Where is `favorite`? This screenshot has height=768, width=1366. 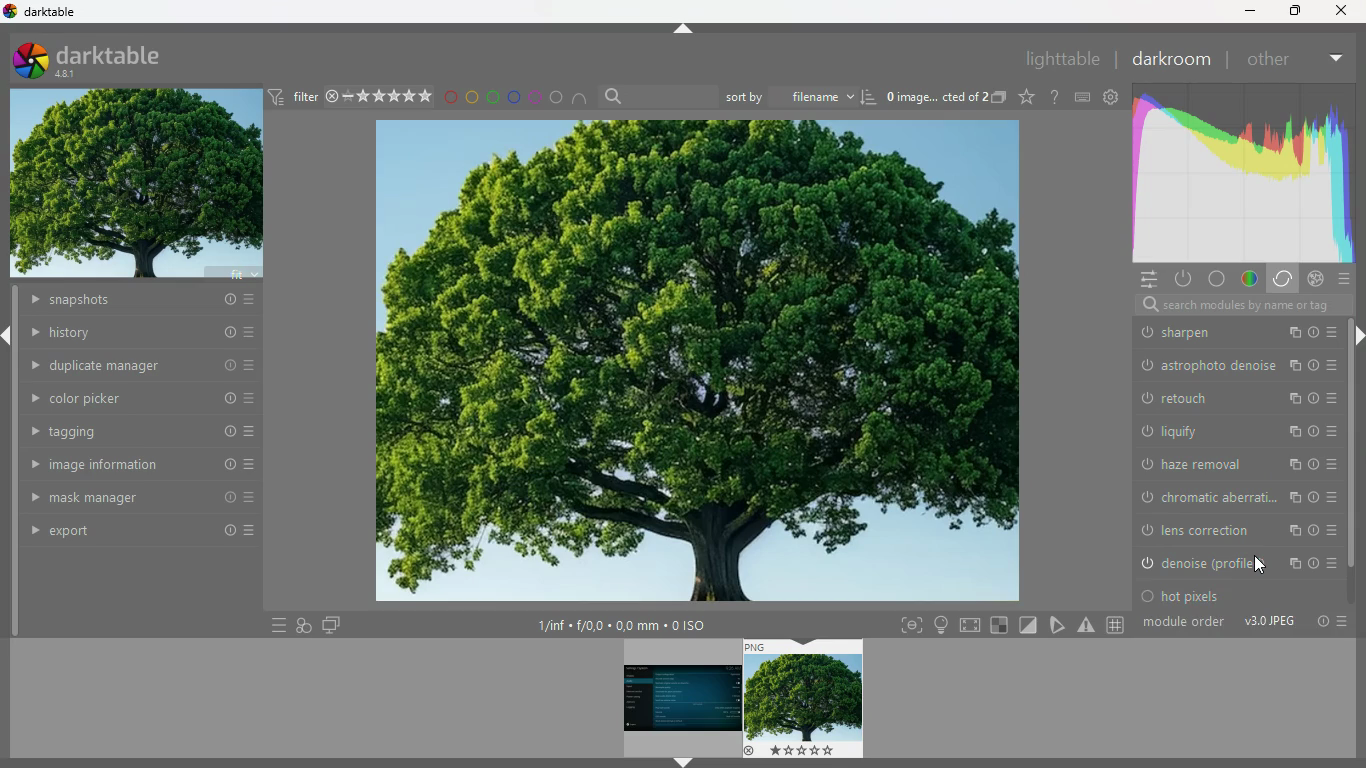 favorite is located at coordinates (1025, 98).